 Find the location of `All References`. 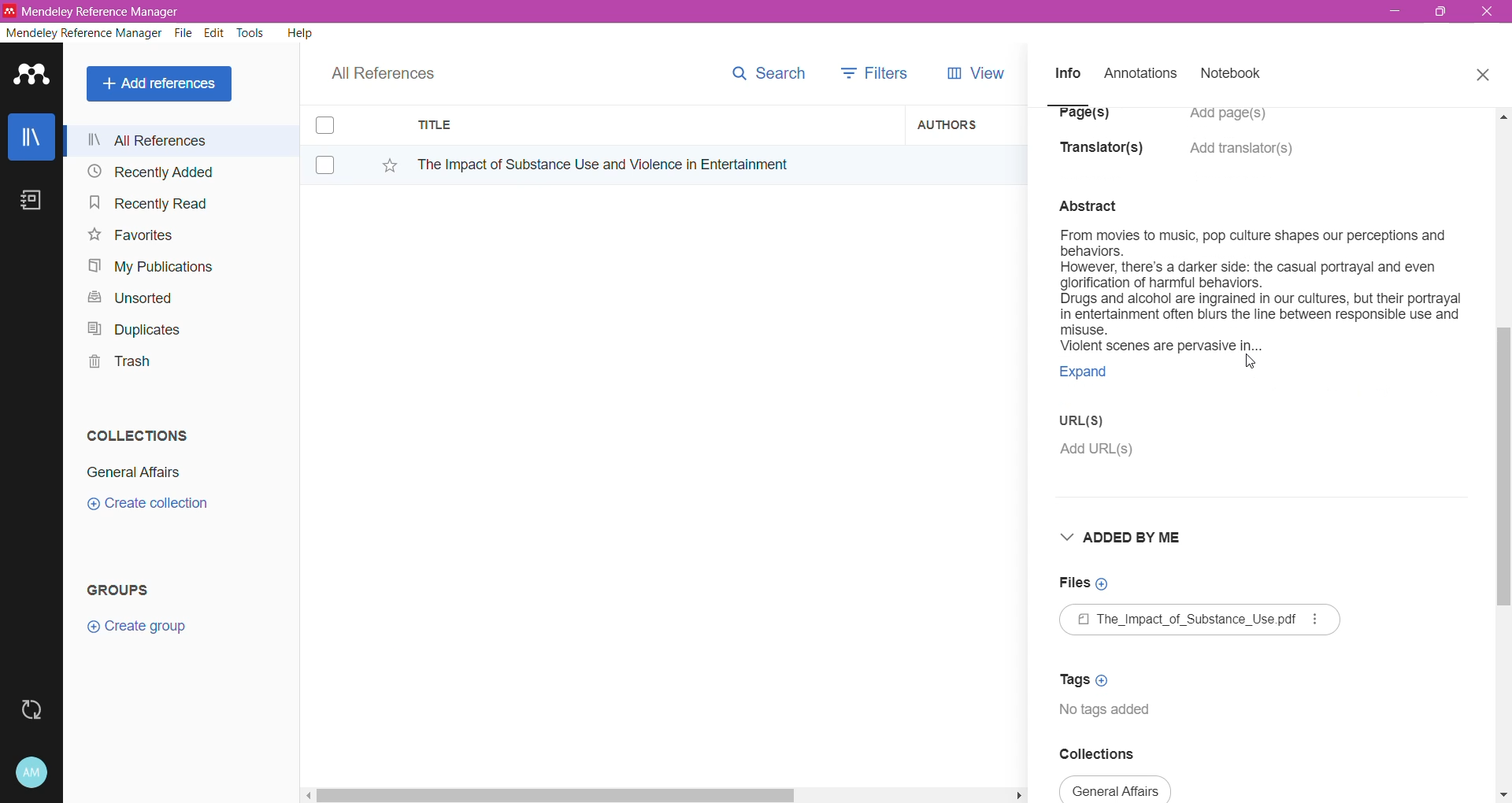

All References is located at coordinates (394, 69).